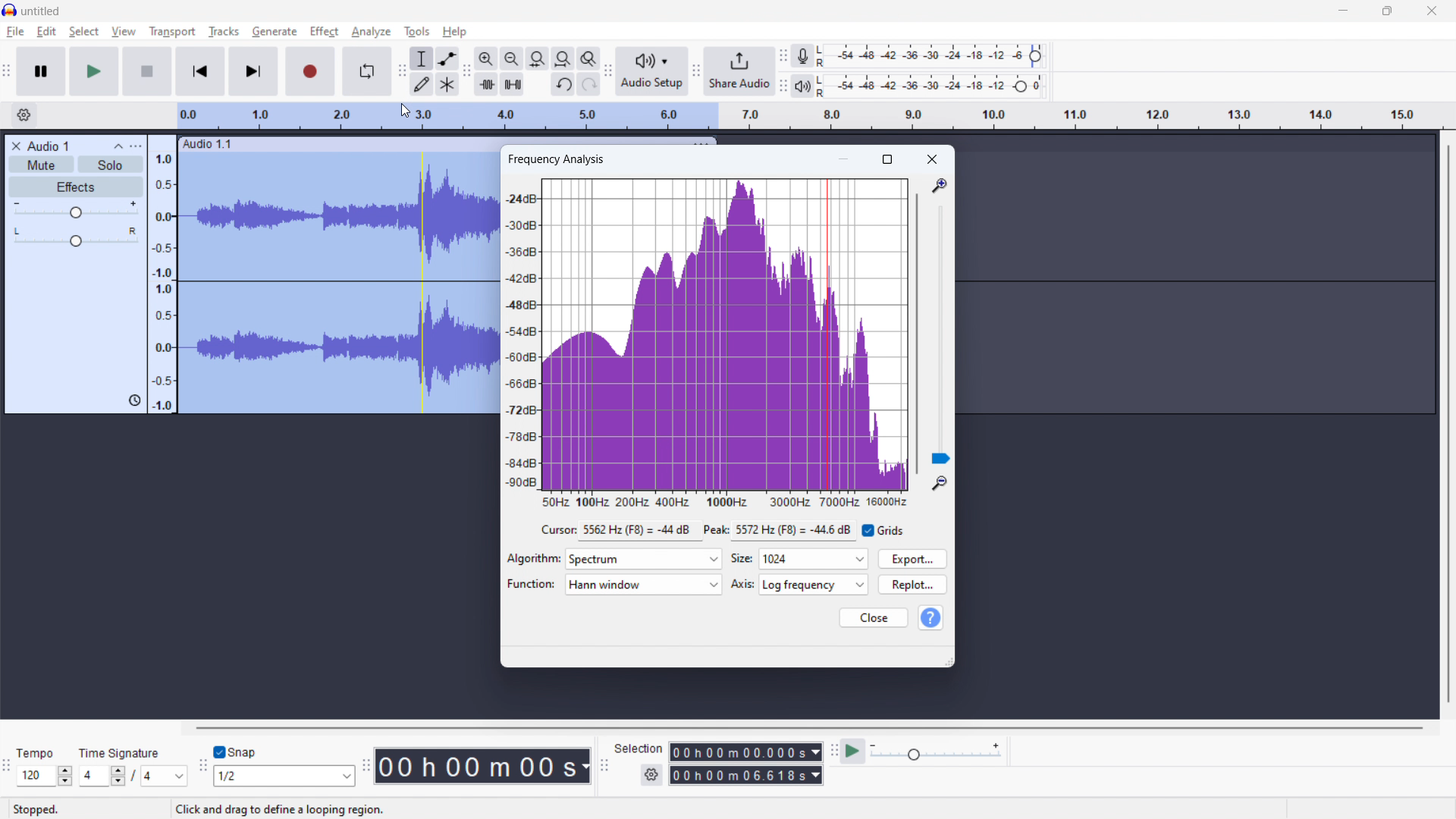 The height and width of the screenshot is (819, 1456). What do you see at coordinates (147, 71) in the screenshot?
I see `stop` at bounding box center [147, 71].